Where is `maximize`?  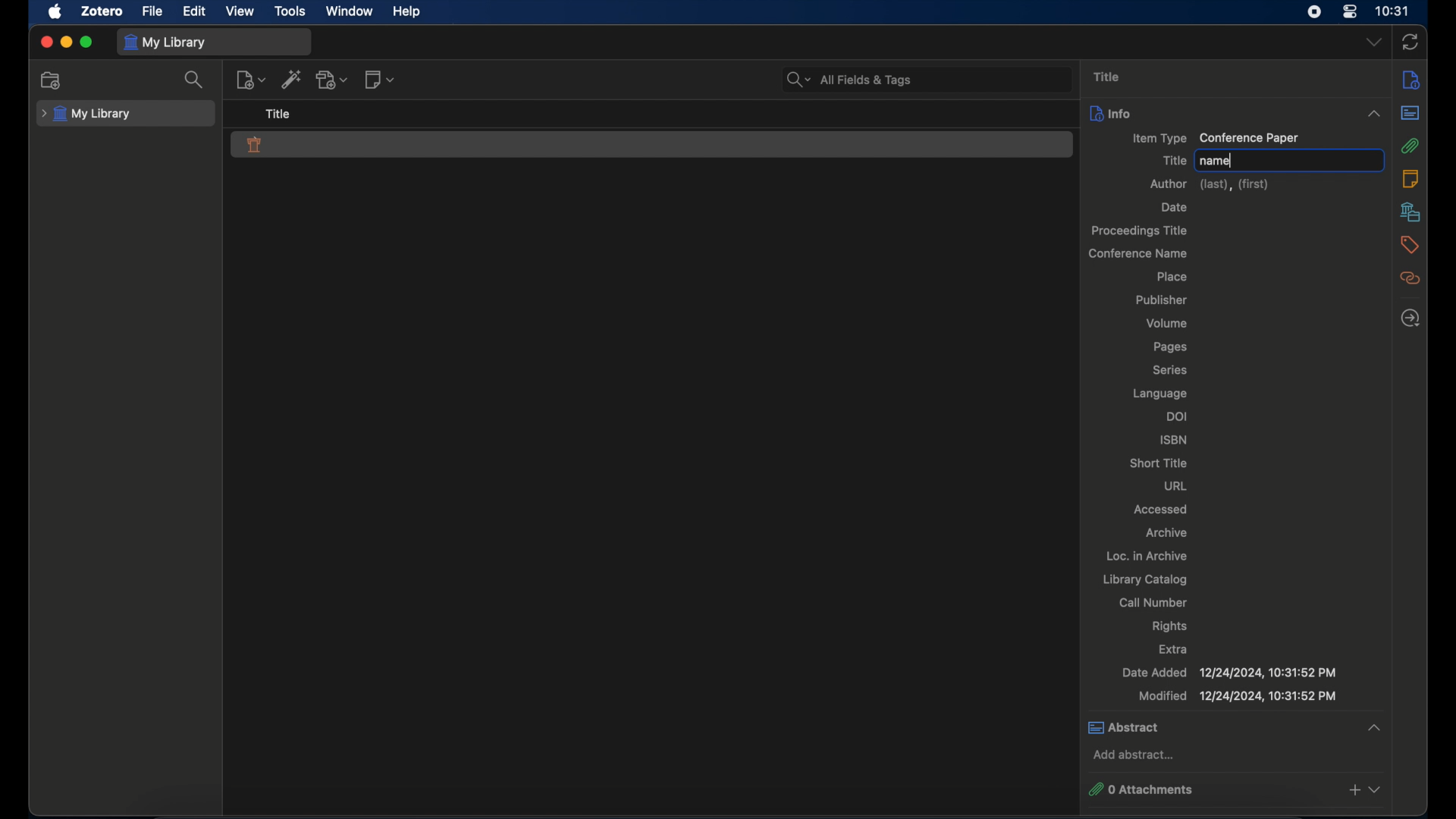
maximize is located at coordinates (87, 42).